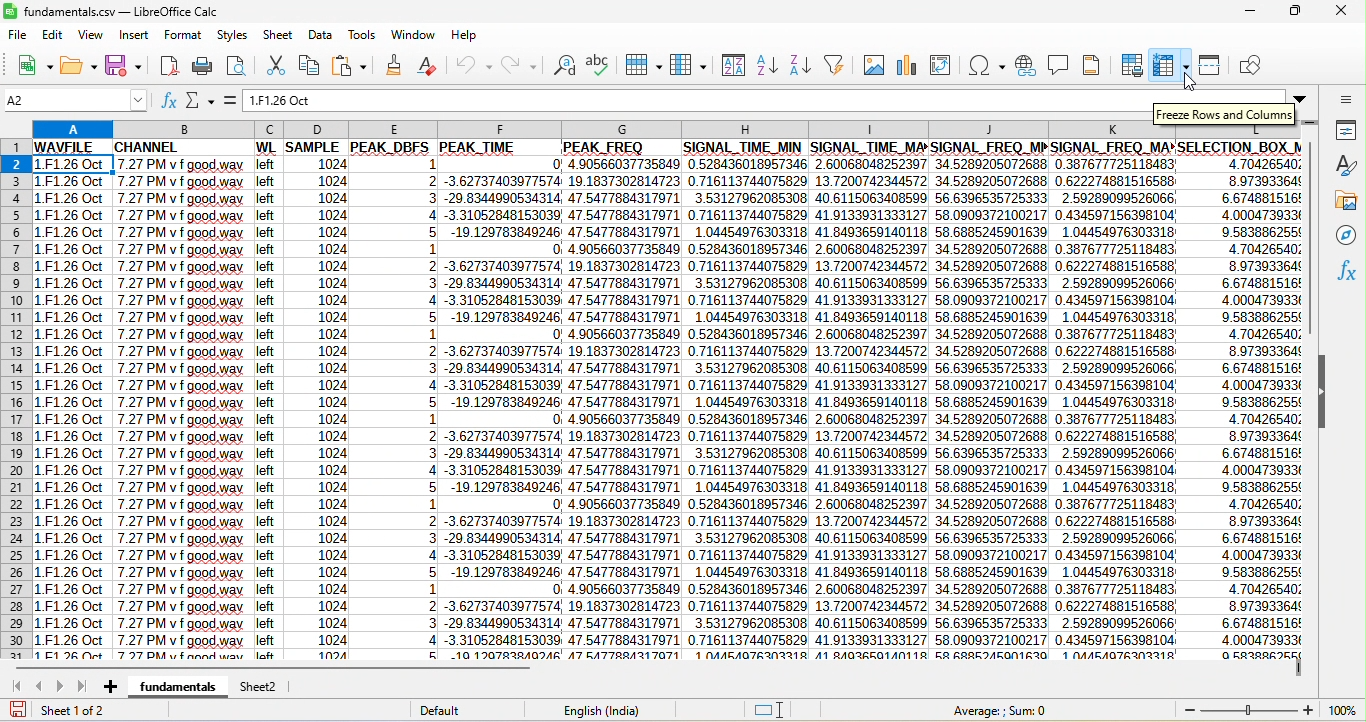  What do you see at coordinates (80, 67) in the screenshot?
I see `open` at bounding box center [80, 67].